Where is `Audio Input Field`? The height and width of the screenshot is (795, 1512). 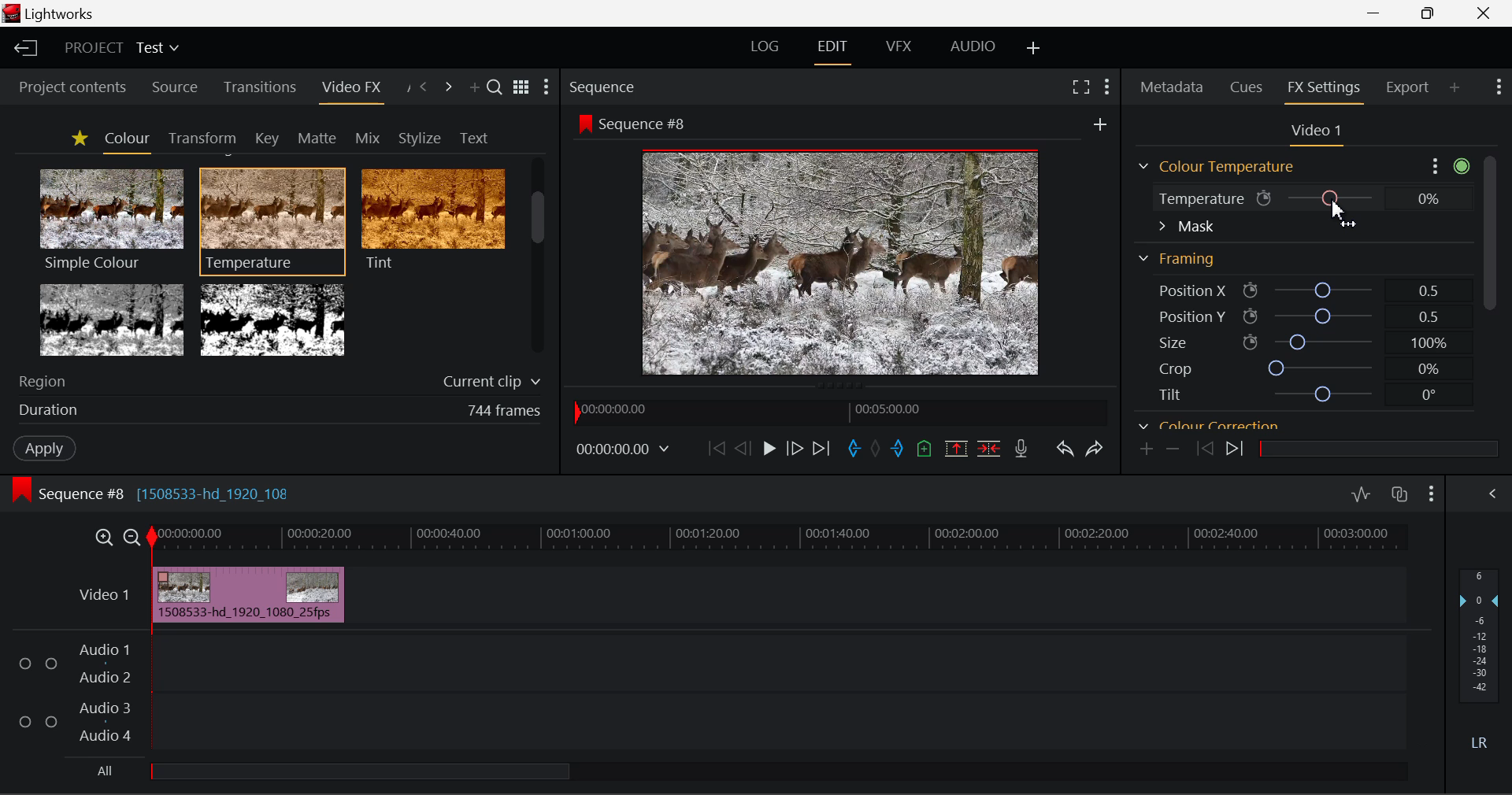
Audio Input Field is located at coordinates (780, 691).